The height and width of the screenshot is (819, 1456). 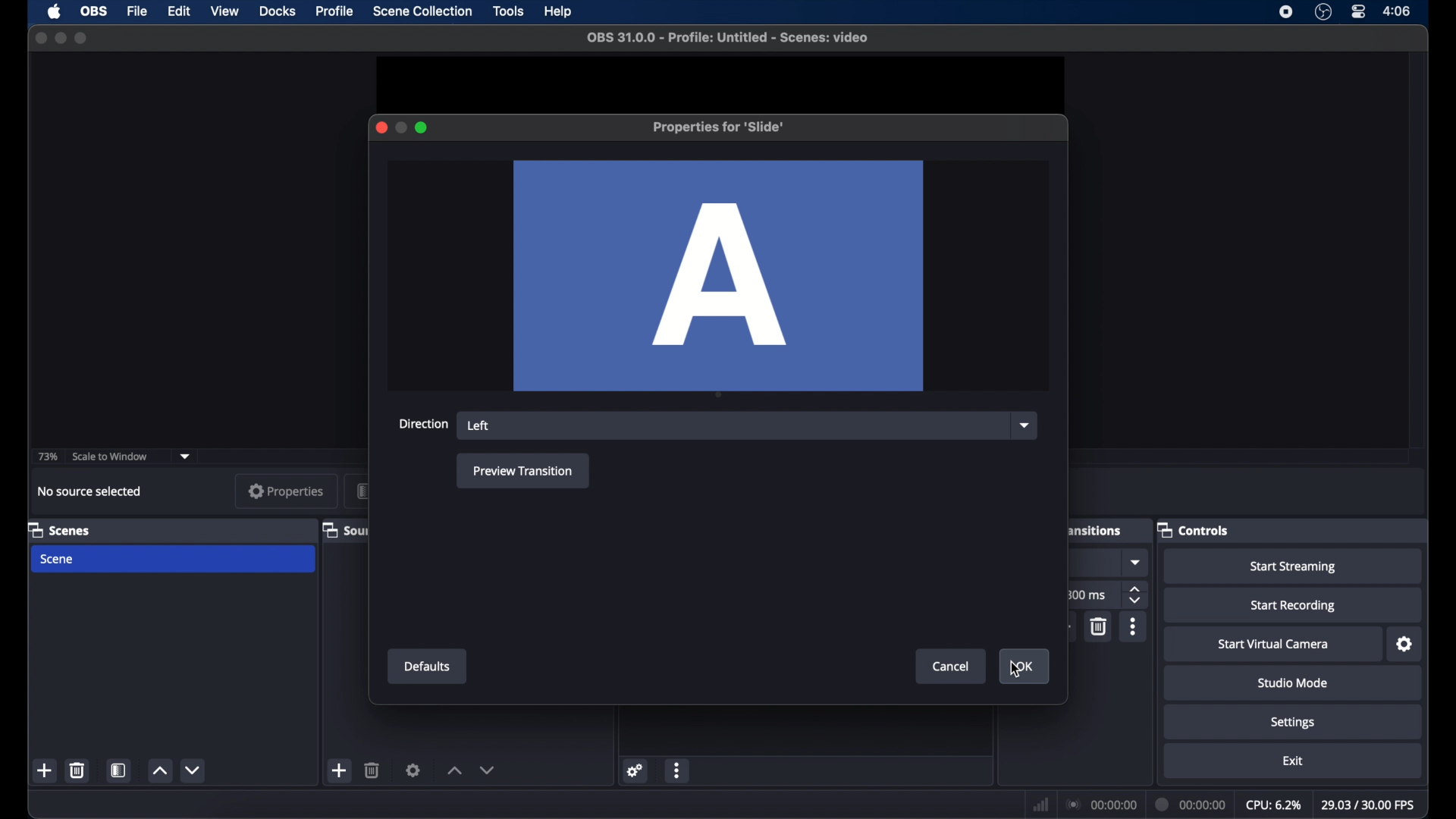 What do you see at coordinates (1100, 626) in the screenshot?
I see `delete` at bounding box center [1100, 626].